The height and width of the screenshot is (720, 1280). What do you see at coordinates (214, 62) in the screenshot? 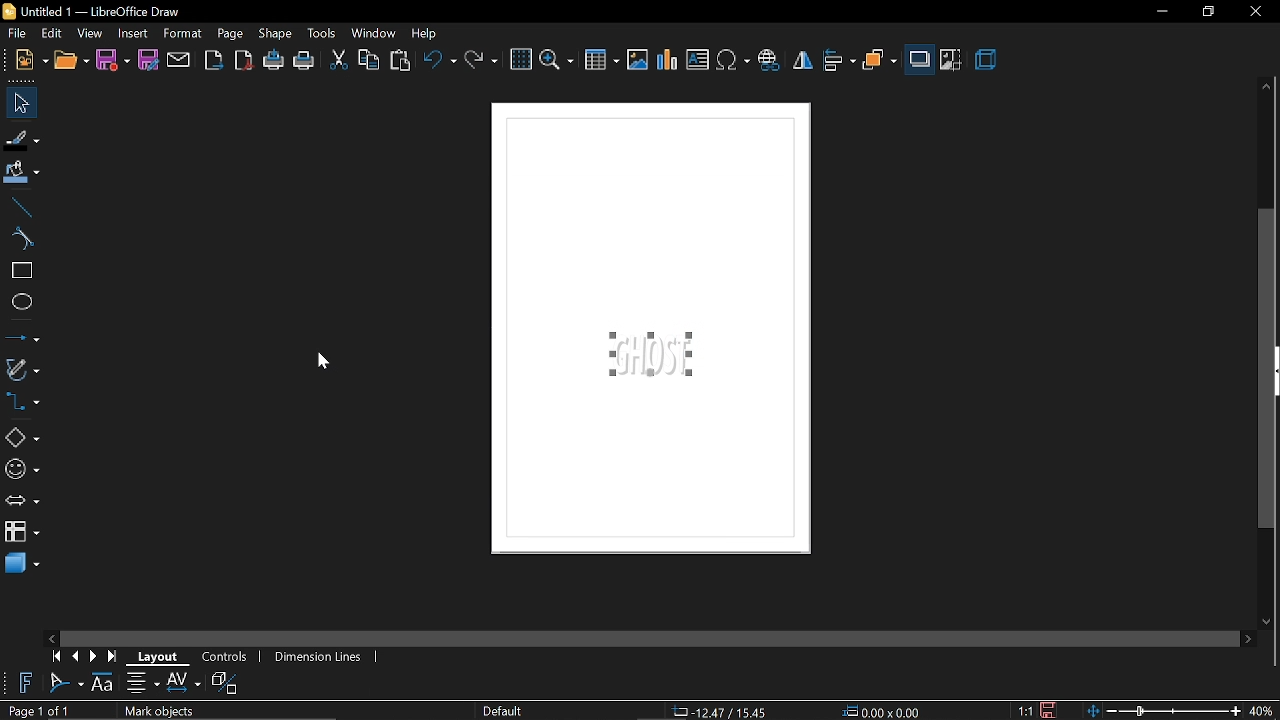
I see `export` at bounding box center [214, 62].